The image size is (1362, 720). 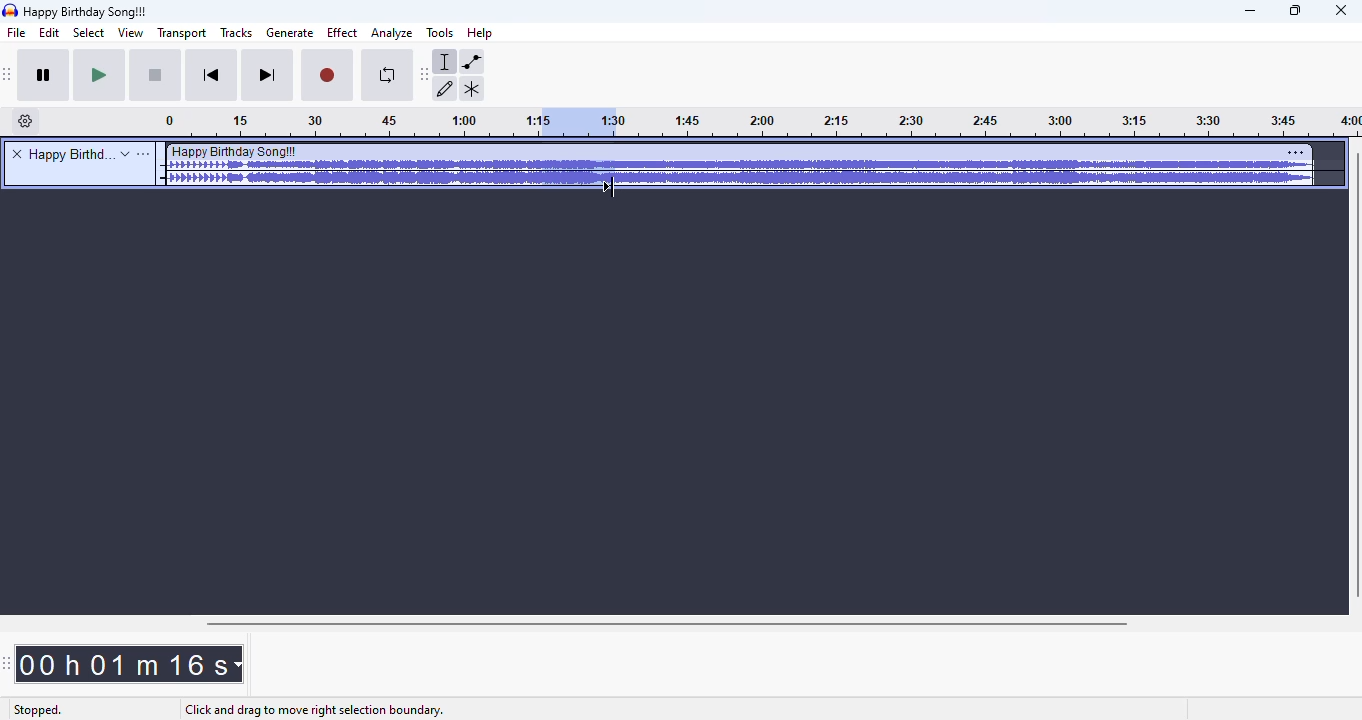 I want to click on audacity time toolbar, so click(x=7, y=664).